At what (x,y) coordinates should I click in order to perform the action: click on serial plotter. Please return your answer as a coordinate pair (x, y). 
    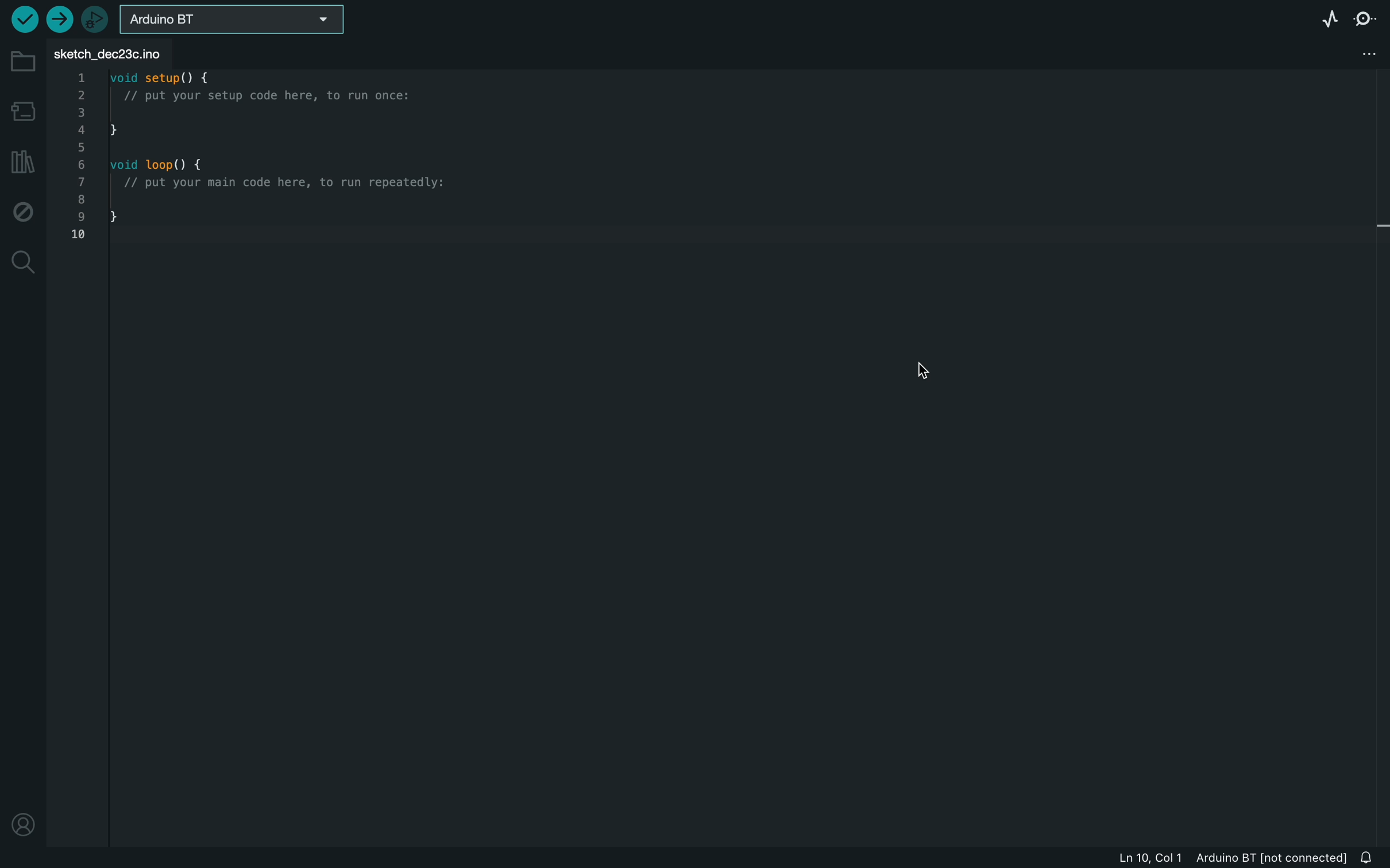
    Looking at the image, I should click on (1323, 16).